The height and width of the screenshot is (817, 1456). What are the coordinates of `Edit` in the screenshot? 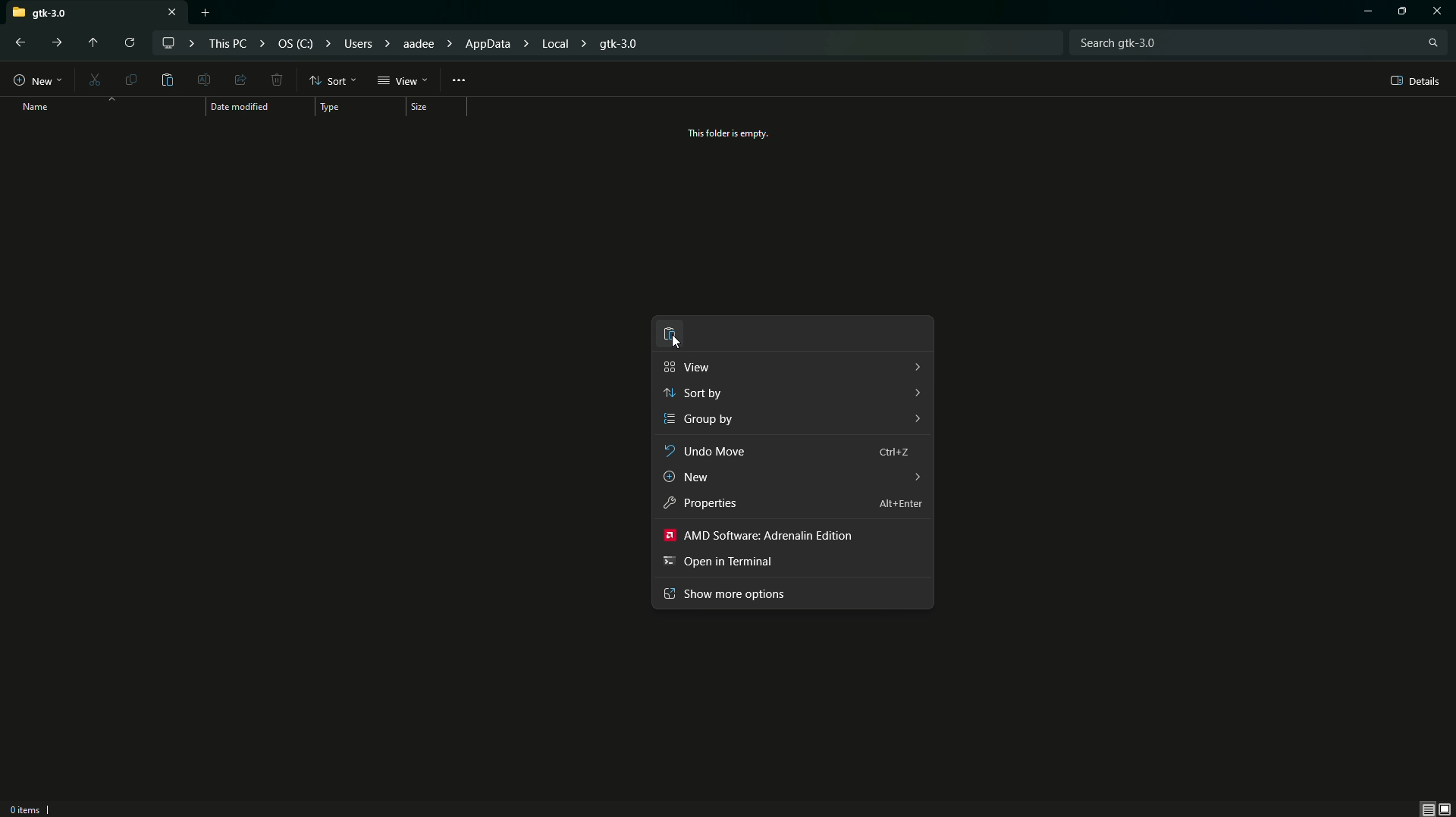 It's located at (206, 79).